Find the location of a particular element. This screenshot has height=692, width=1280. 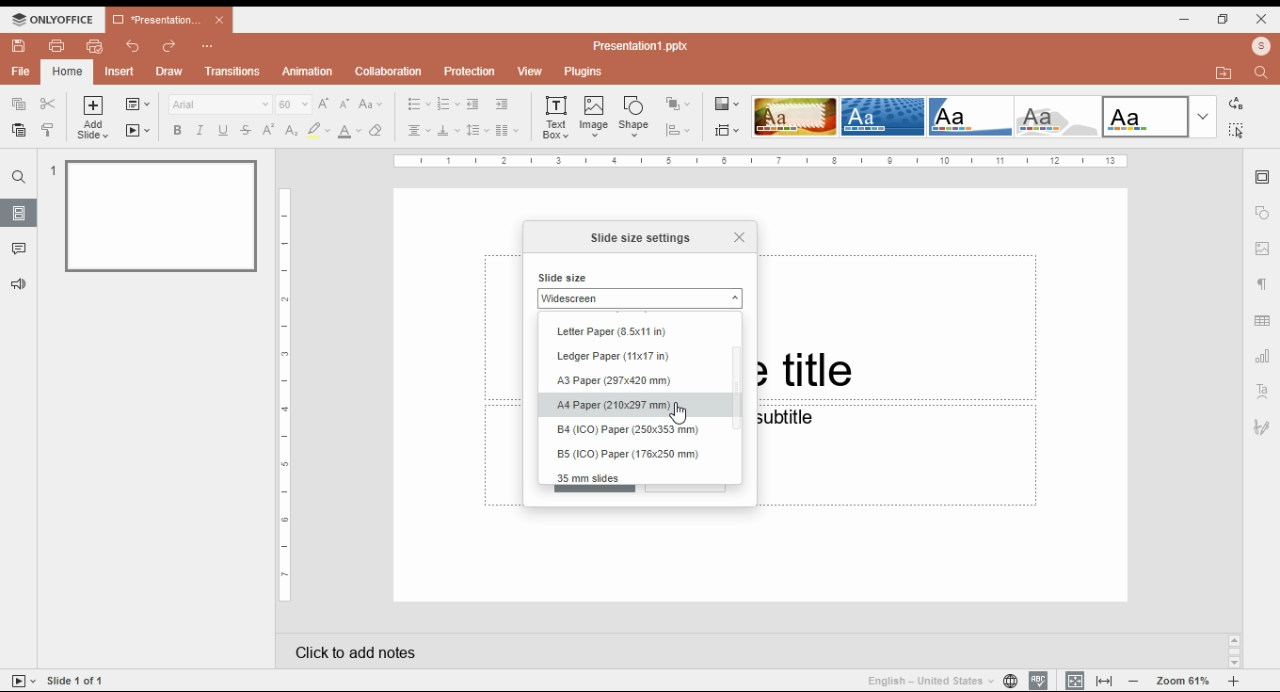

Slide 1 of 1 is located at coordinates (79, 680).